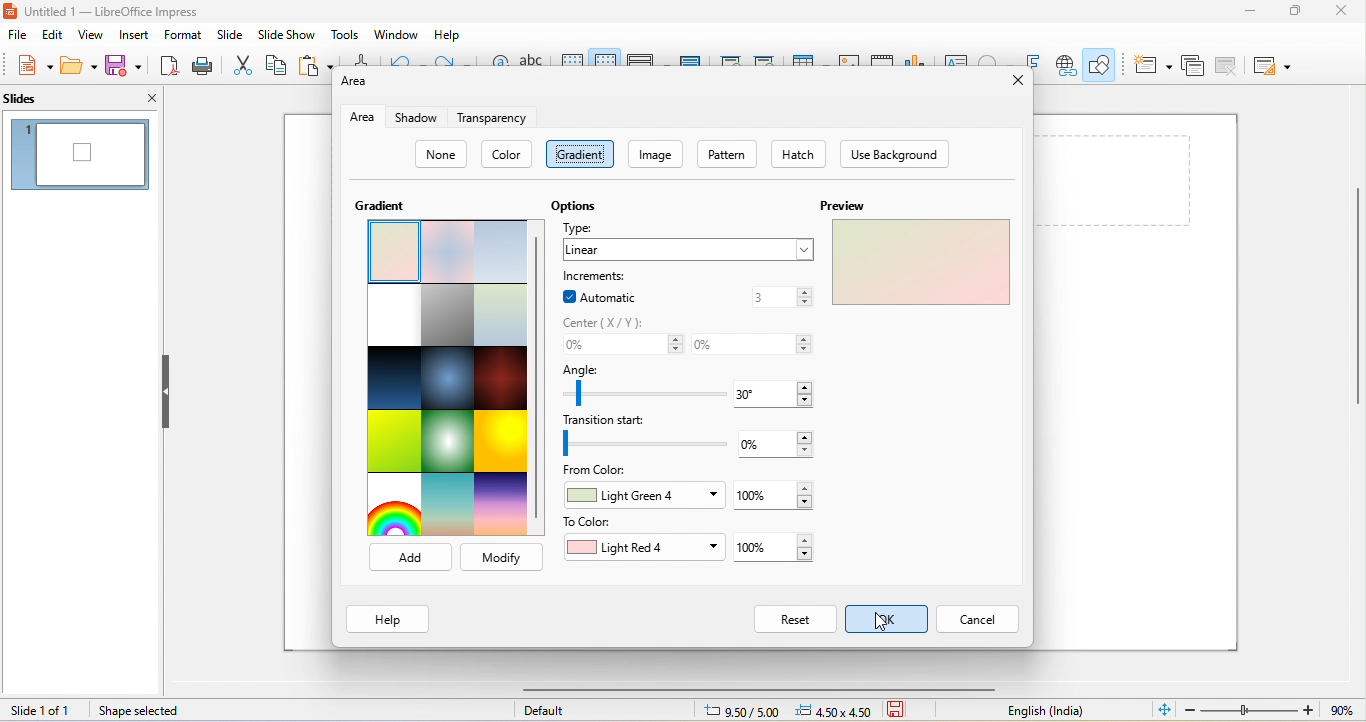 The width and height of the screenshot is (1366, 722). What do you see at coordinates (15, 36) in the screenshot?
I see `file` at bounding box center [15, 36].